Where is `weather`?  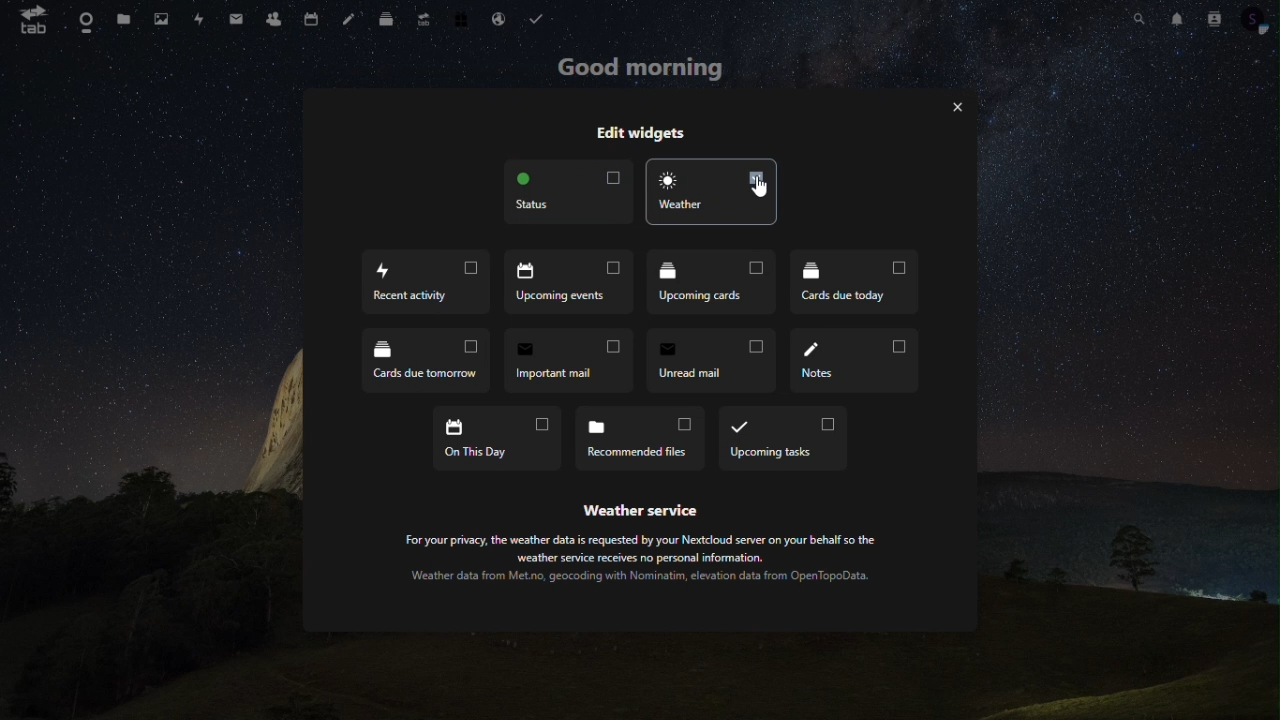
weather is located at coordinates (716, 193).